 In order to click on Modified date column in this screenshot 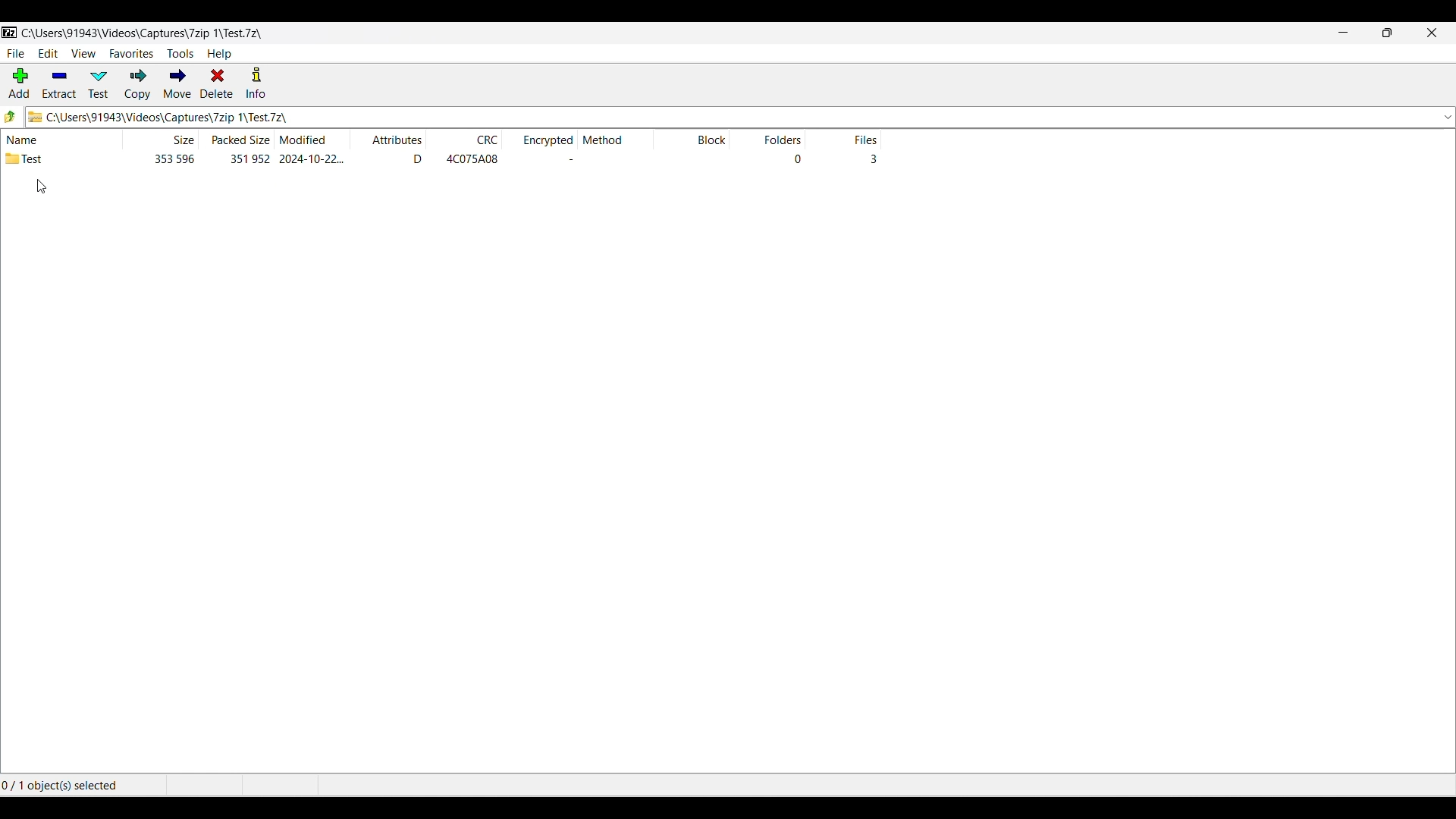, I will do `click(306, 139)`.